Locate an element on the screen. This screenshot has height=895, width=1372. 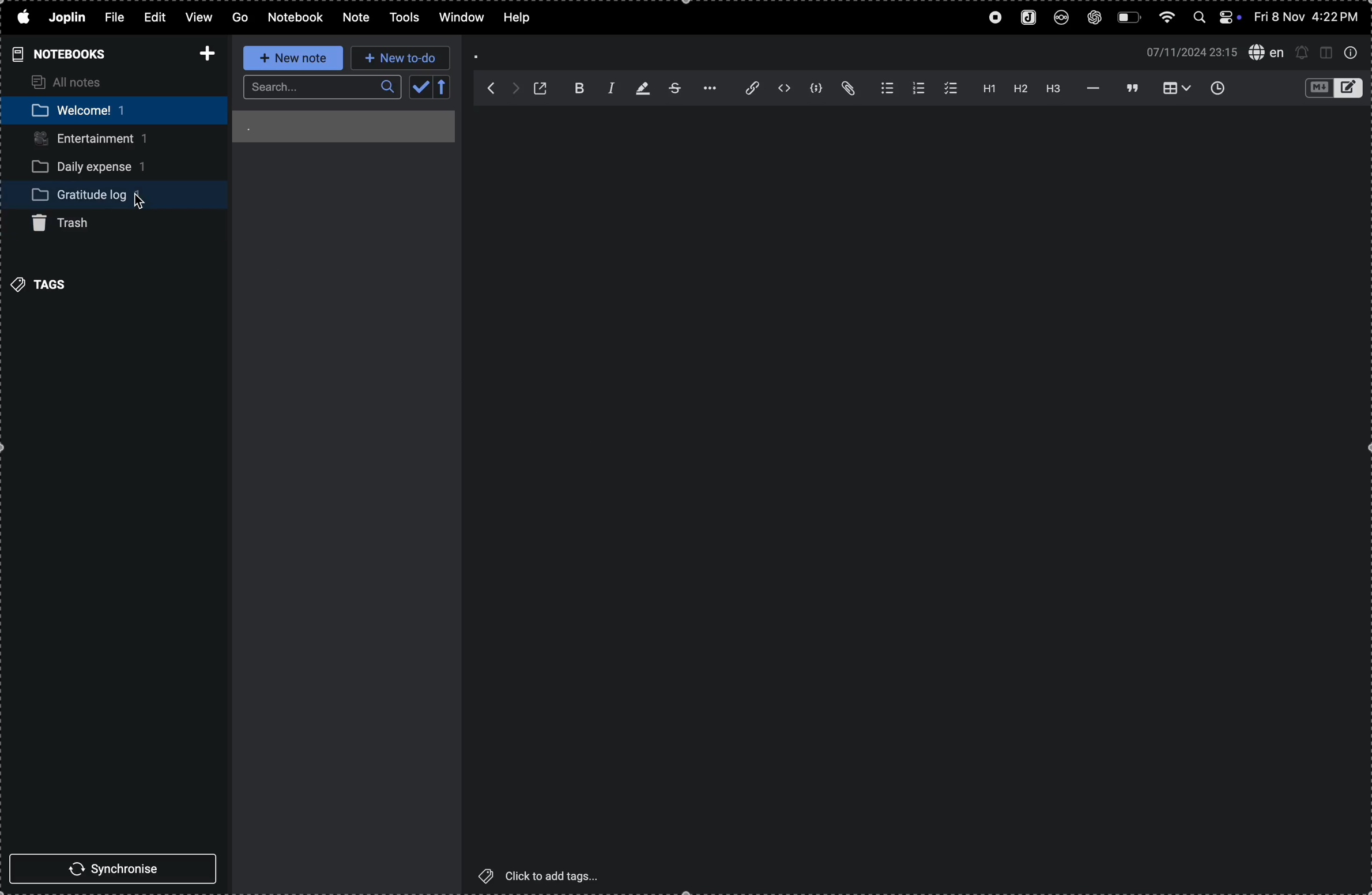
all notes is located at coordinates (65, 82).